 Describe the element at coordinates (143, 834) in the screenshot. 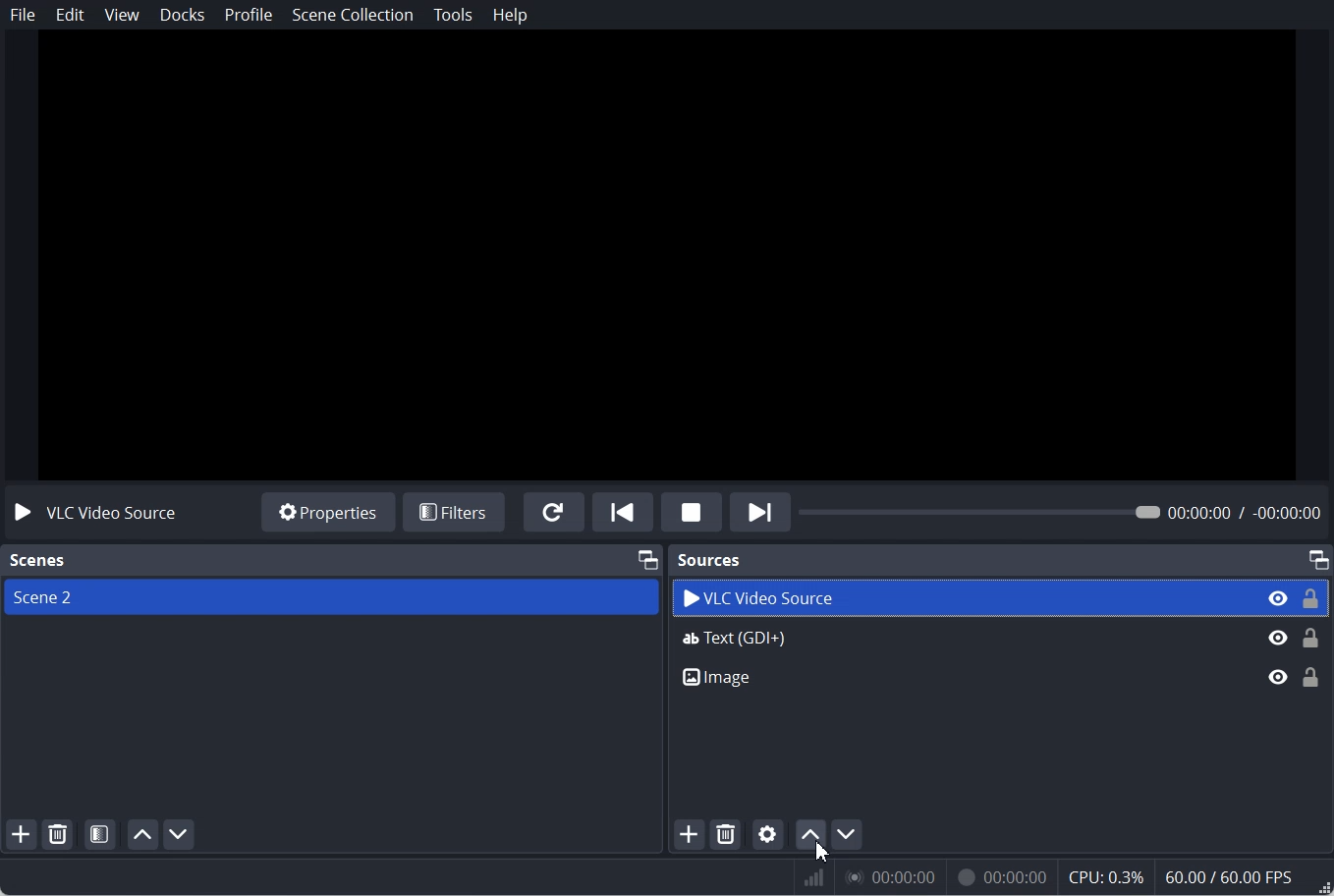

I see `Move scene up` at that location.